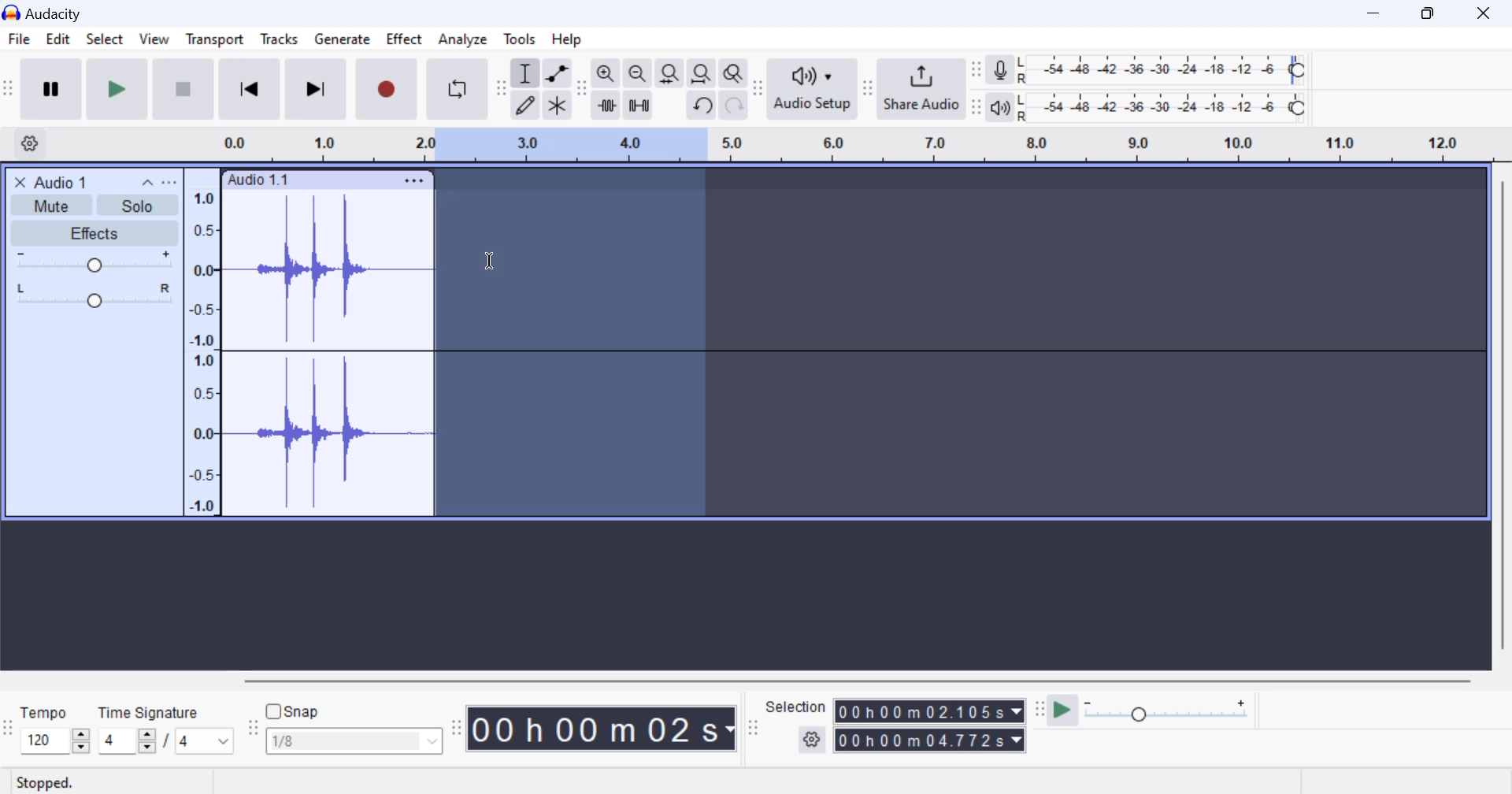  Describe the element at coordinates (1162, 108) in the screenshot. I see `Playback Level` at that location.